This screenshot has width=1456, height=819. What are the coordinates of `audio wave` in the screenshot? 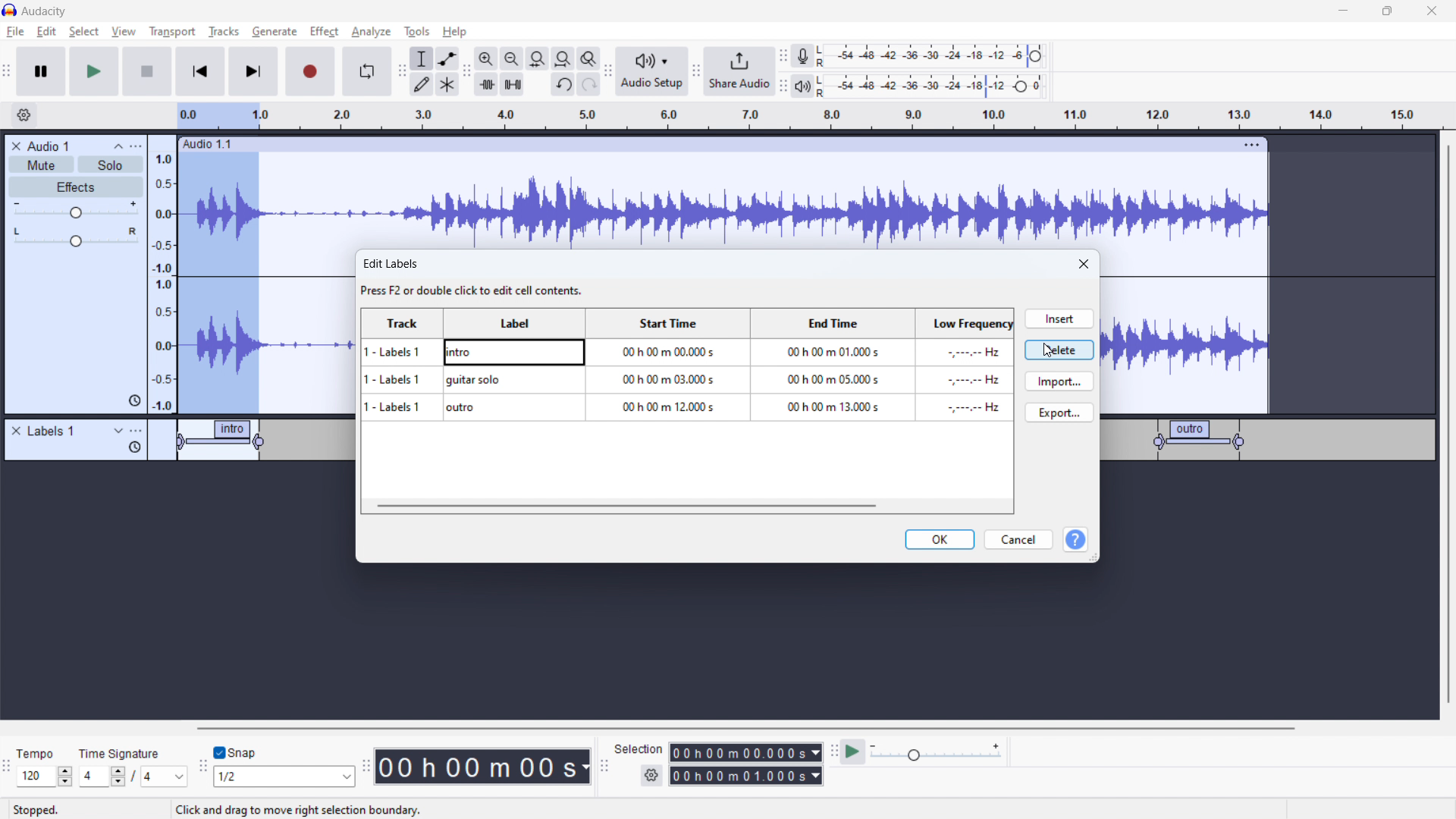 It's located at (723, 202).